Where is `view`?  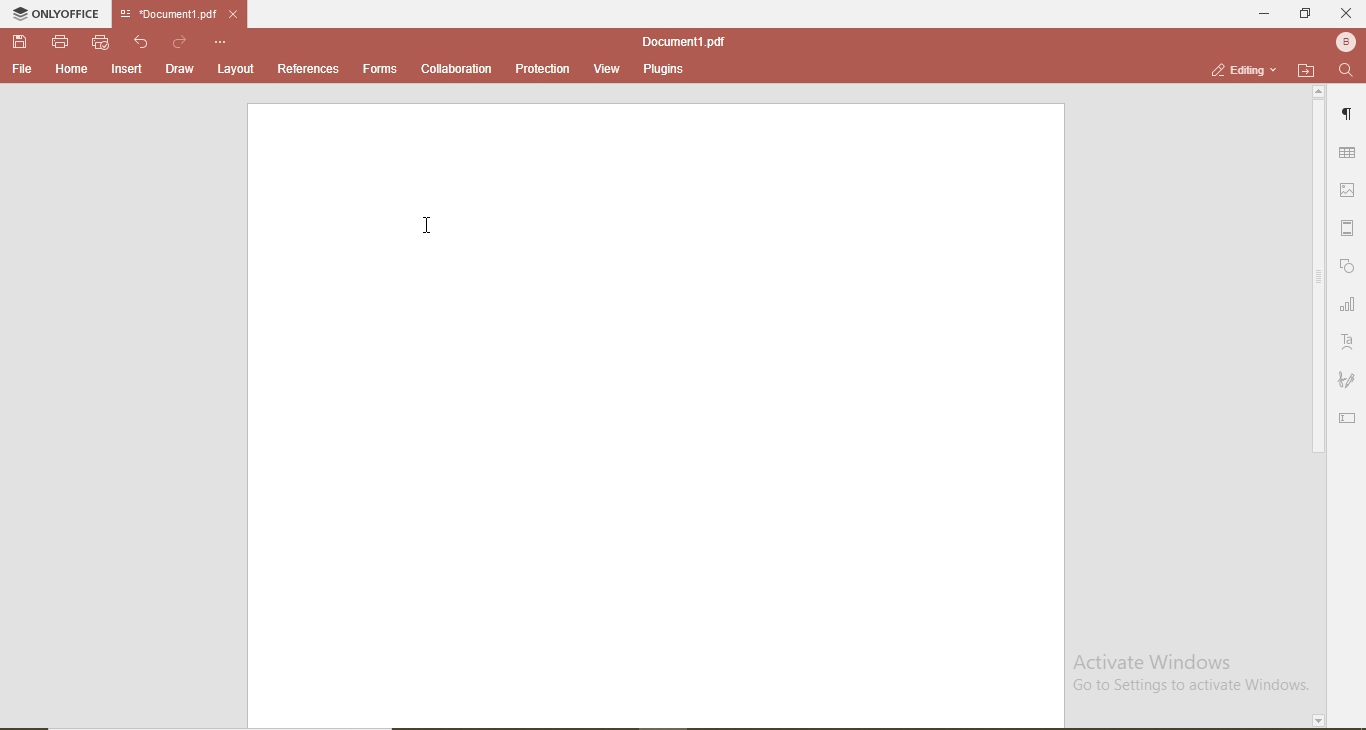
view is located at coordinates (607, 69).